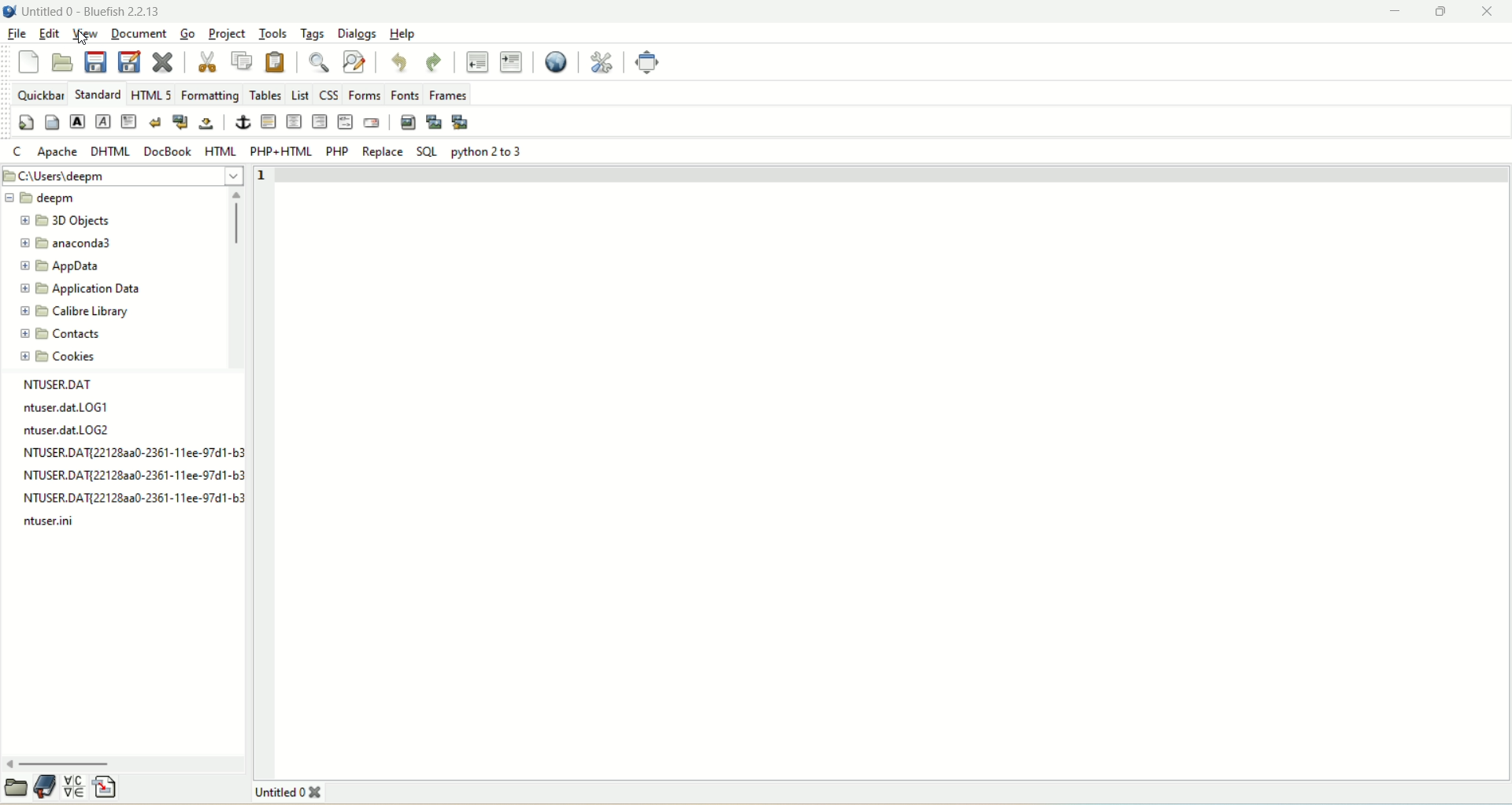 This screenshot has height=805, width=1512. Describe the element at coordinates (278, 60) in the screenshot. I see `paste` at that location.